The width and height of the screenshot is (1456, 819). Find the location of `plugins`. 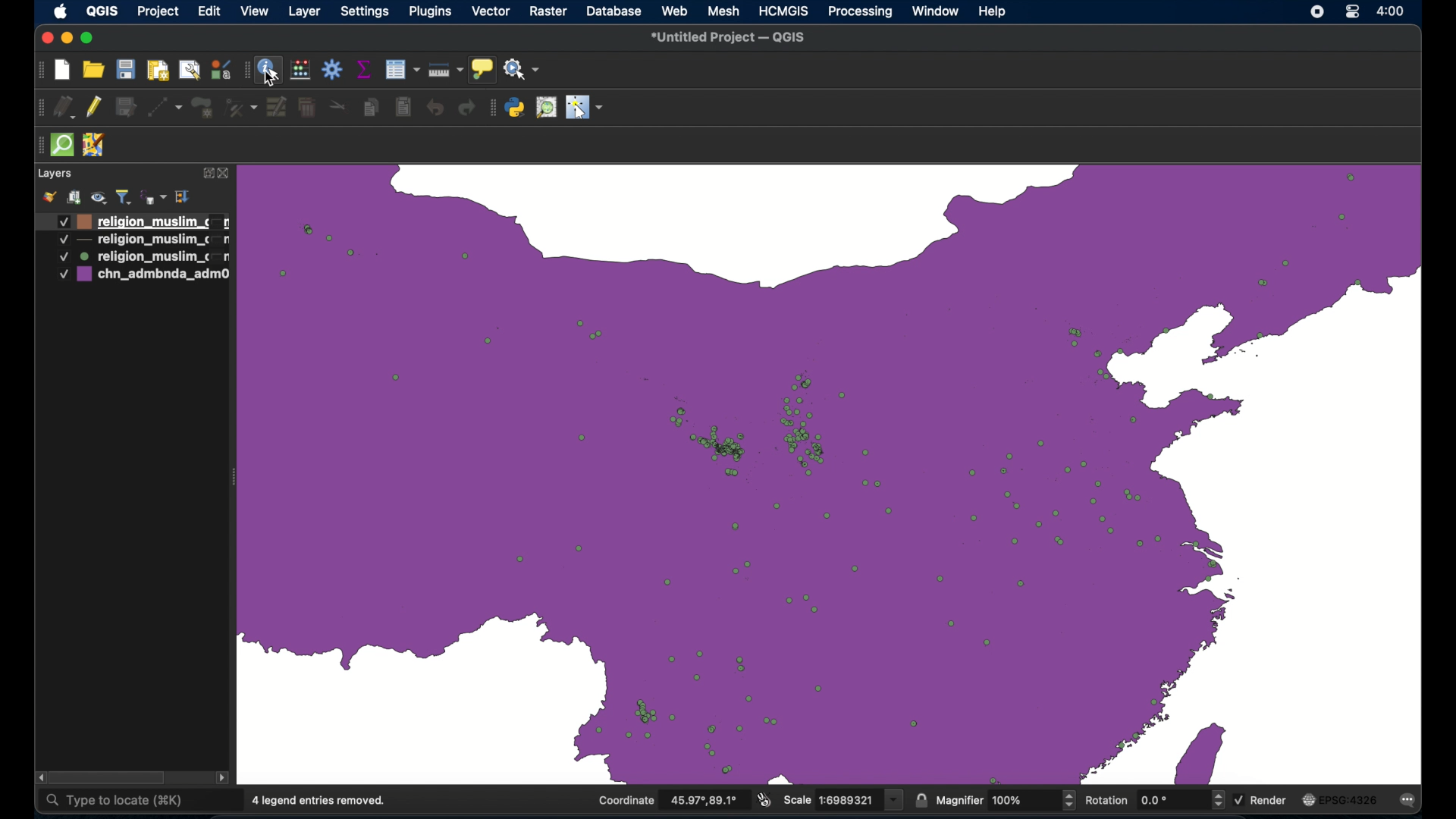

plugins is located at coordinates (429, 11).